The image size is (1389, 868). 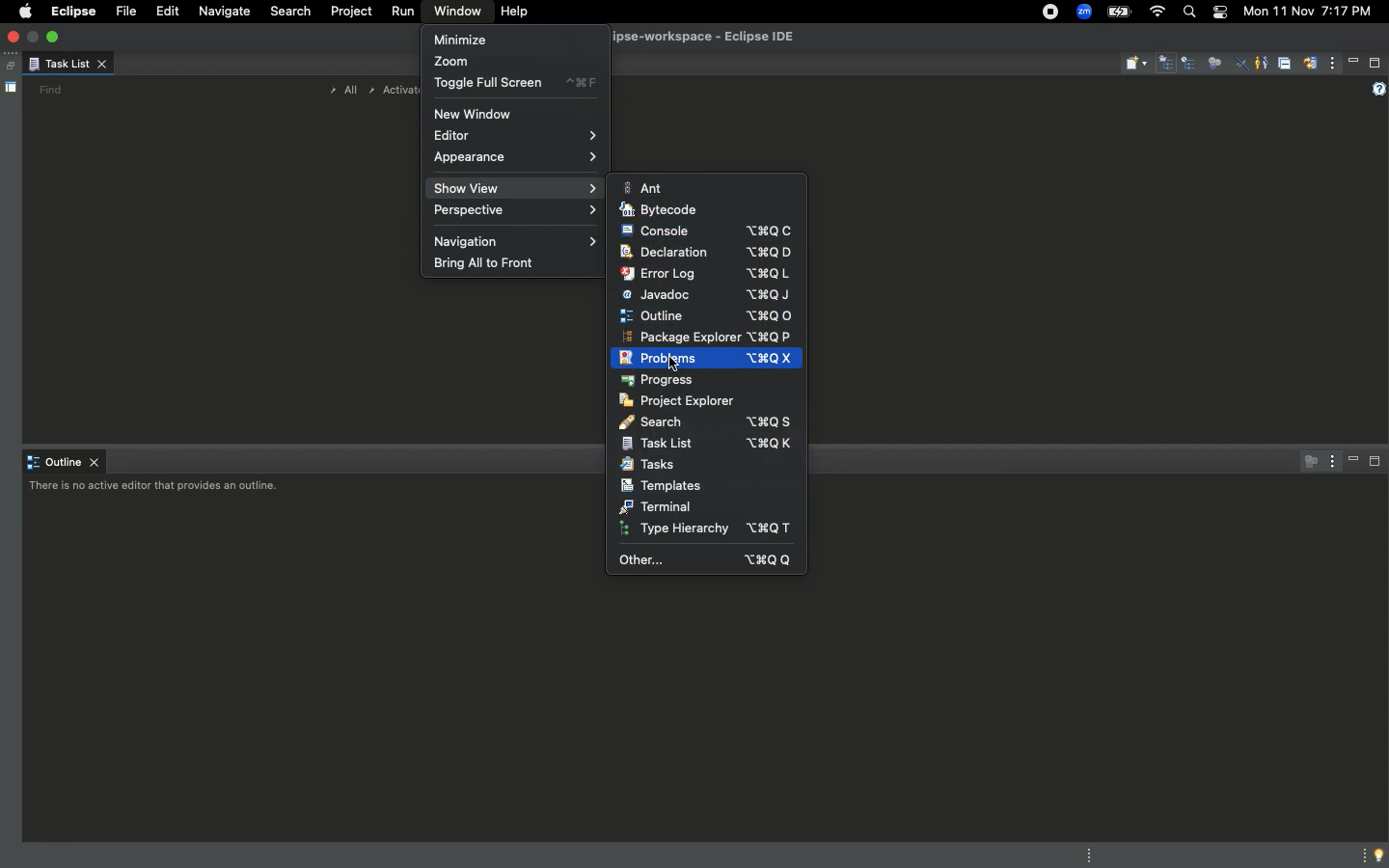 What do you see at coordinates (463, 39) in the screenshot?
I see `Minimize` at bounding box center [463, 39].